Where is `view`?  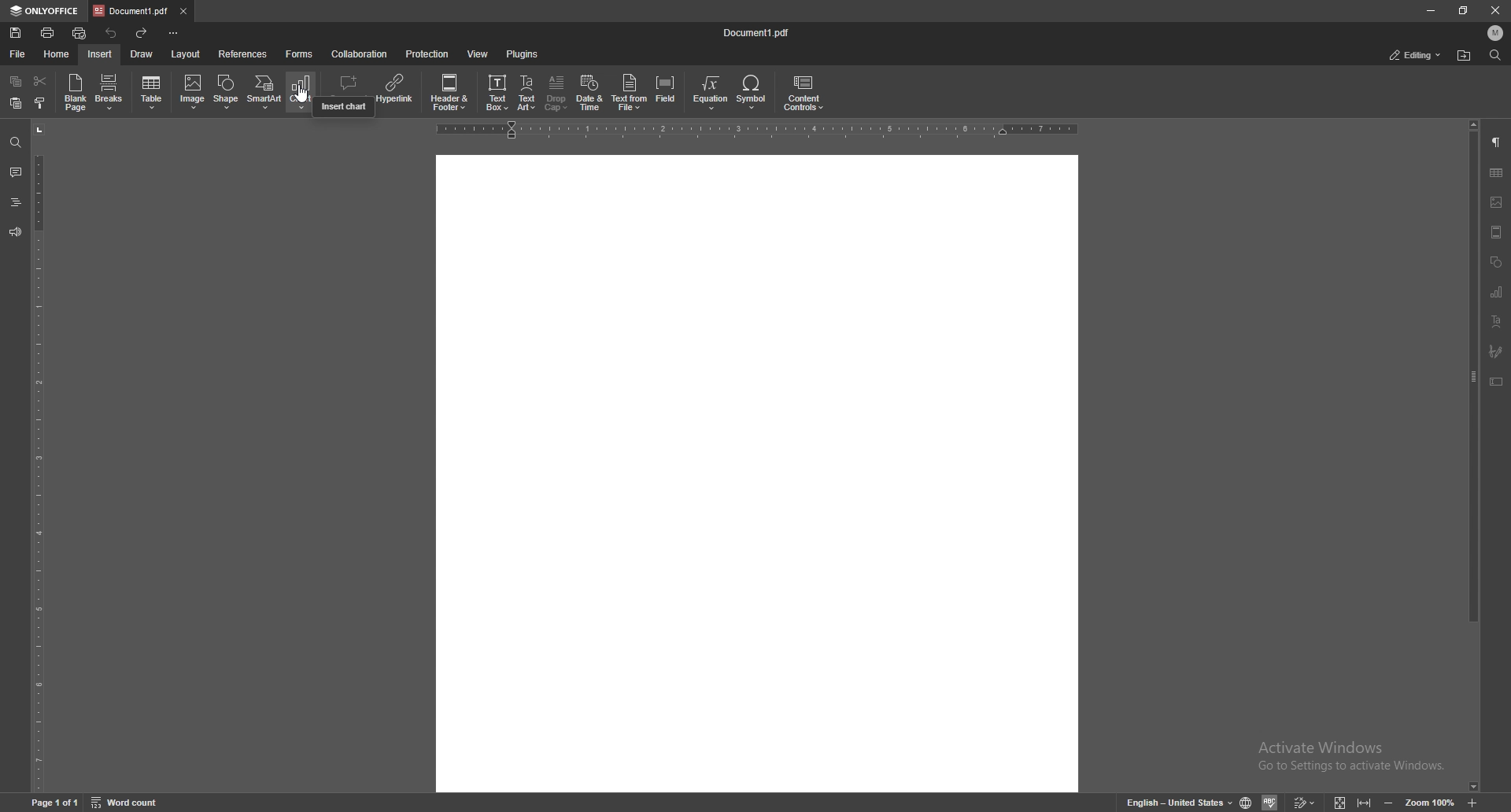 view is located at coordinates (478, 54).